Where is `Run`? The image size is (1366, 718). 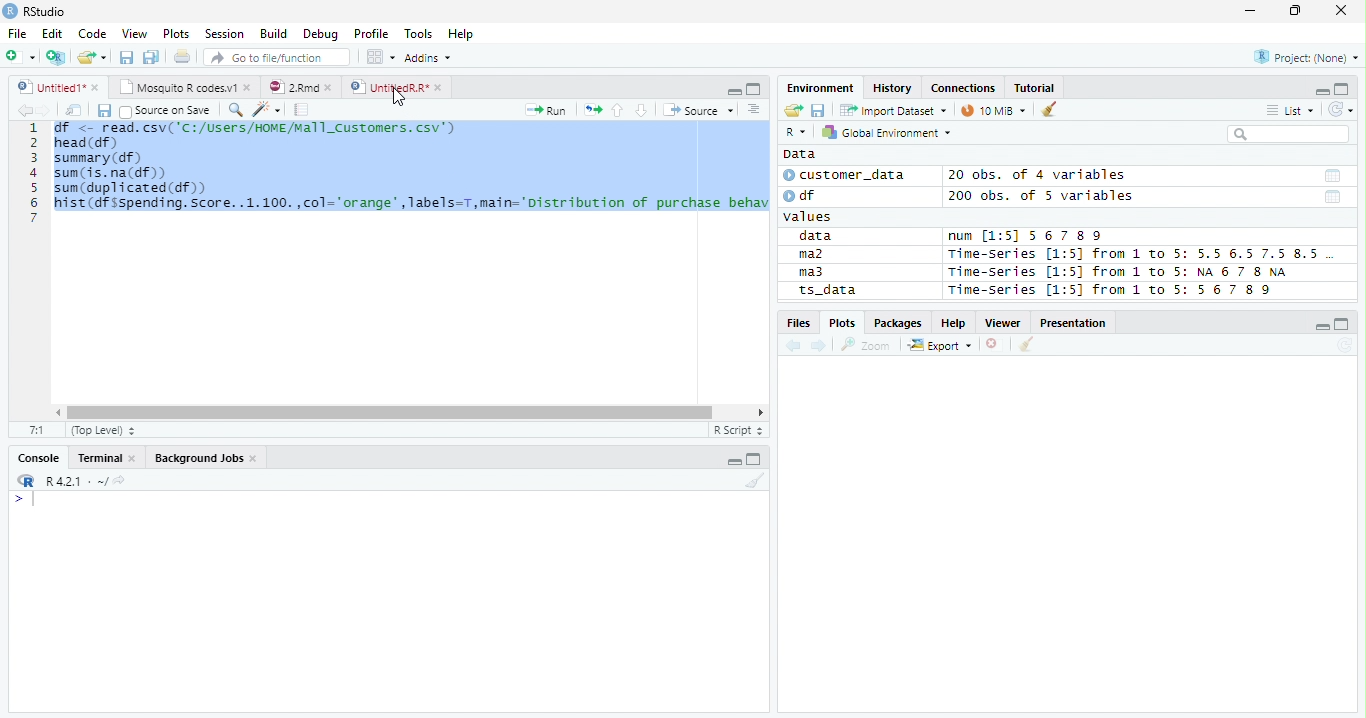 Run is located at coordinates (548, 111).